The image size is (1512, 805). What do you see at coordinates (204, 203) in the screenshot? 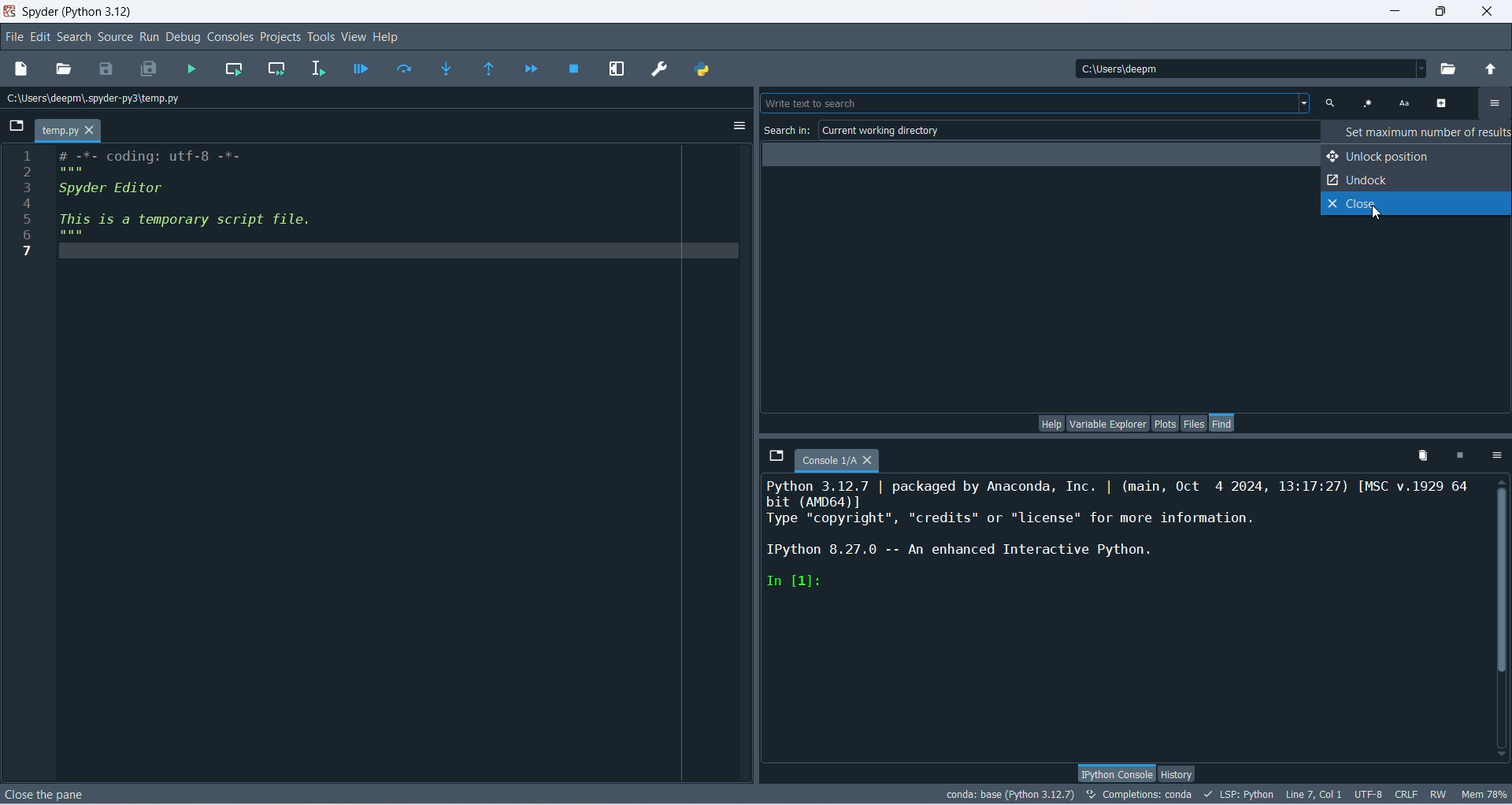
I see `editor pane text` at bounding box center [204, 203].